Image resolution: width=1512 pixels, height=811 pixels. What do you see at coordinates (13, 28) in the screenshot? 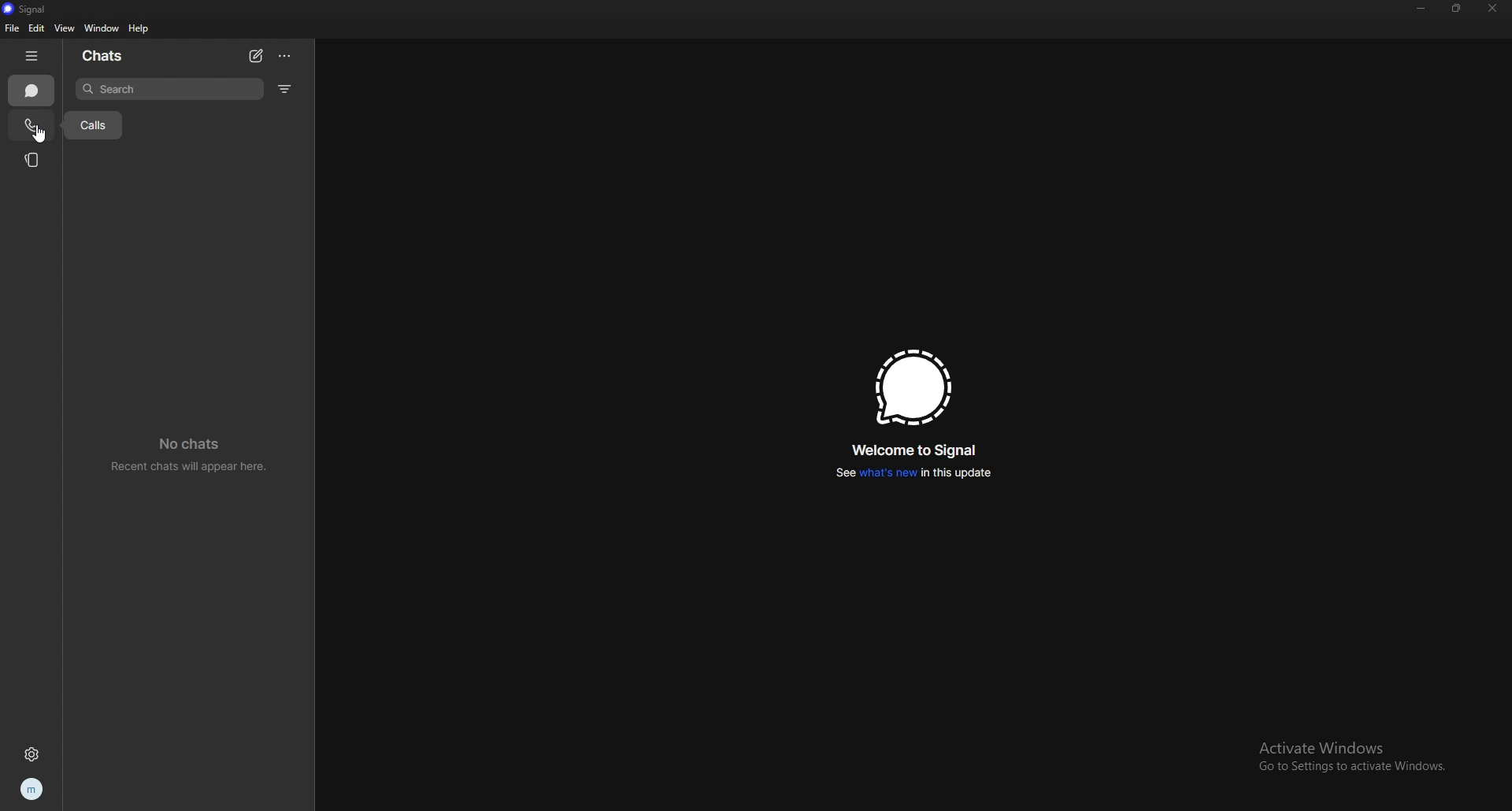
I see `file` at bounding box center [13, 28].